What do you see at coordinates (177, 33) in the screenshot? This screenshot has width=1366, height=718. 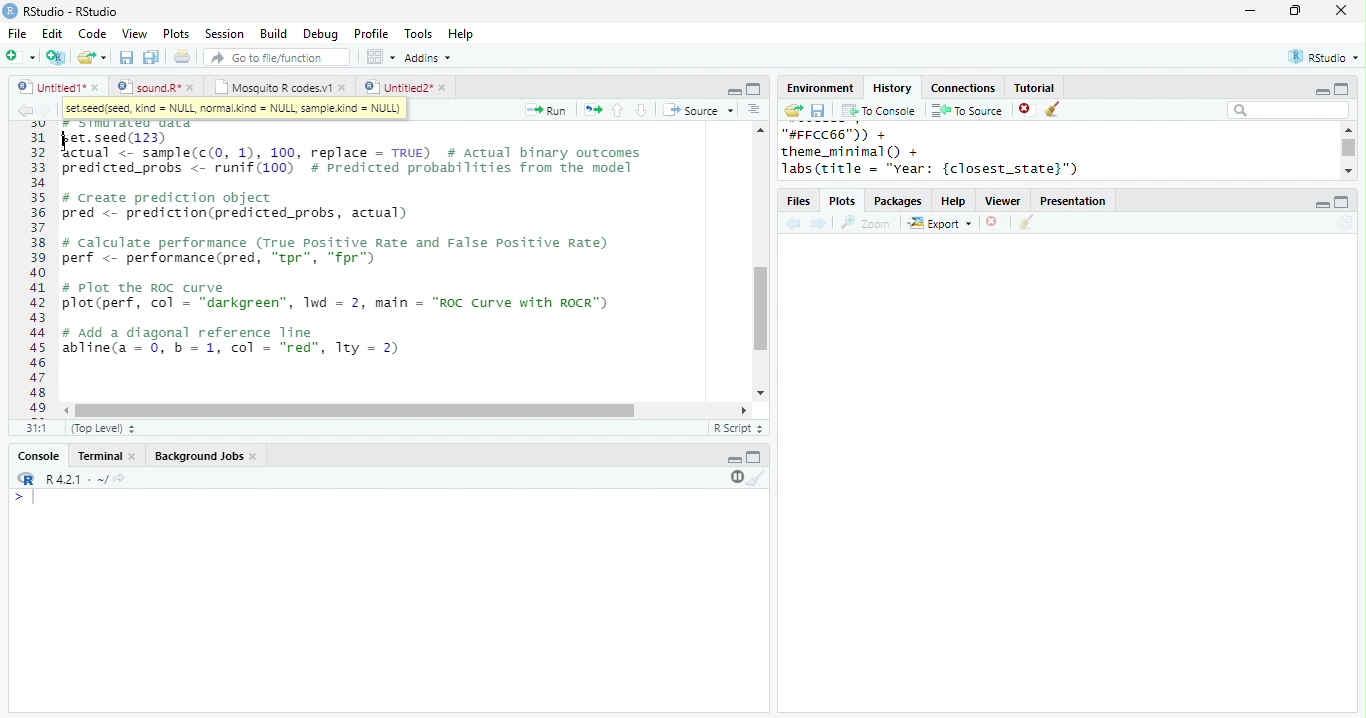 I see `Plots` at bounding box center [177, 33].